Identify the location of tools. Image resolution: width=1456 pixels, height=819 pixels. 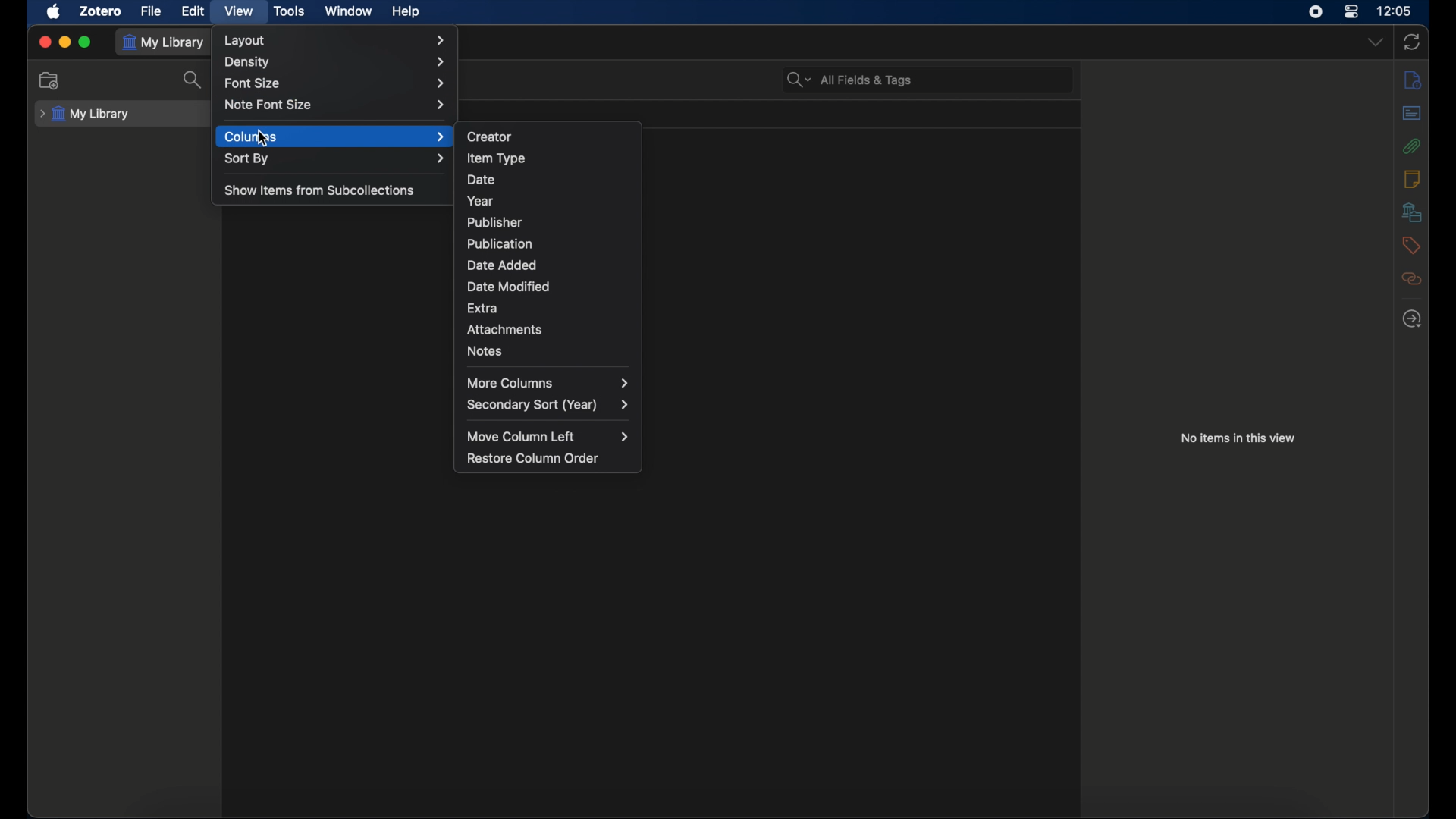
(290, 11).